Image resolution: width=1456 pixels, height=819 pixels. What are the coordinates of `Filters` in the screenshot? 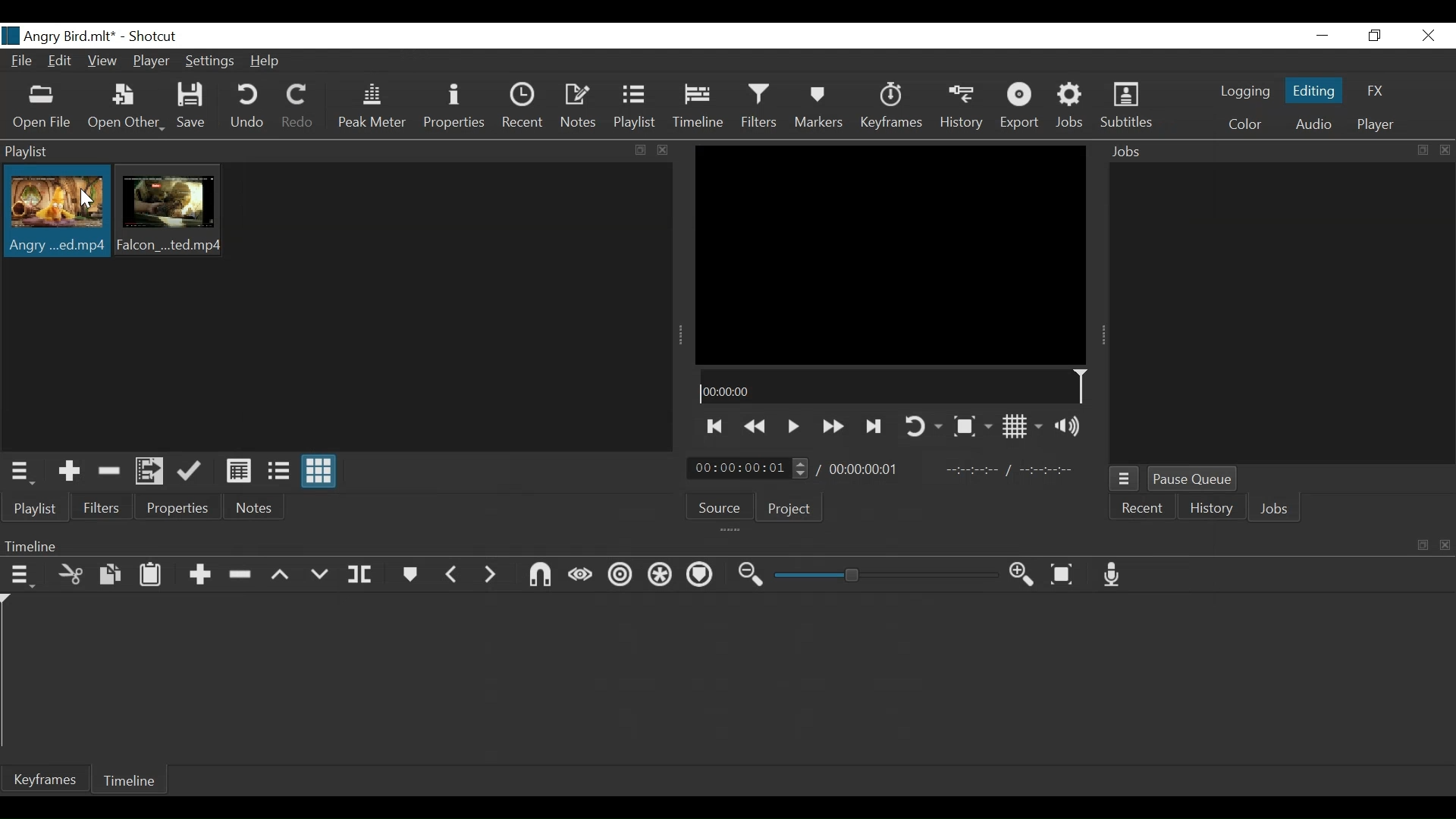 It's located at (761, 107).